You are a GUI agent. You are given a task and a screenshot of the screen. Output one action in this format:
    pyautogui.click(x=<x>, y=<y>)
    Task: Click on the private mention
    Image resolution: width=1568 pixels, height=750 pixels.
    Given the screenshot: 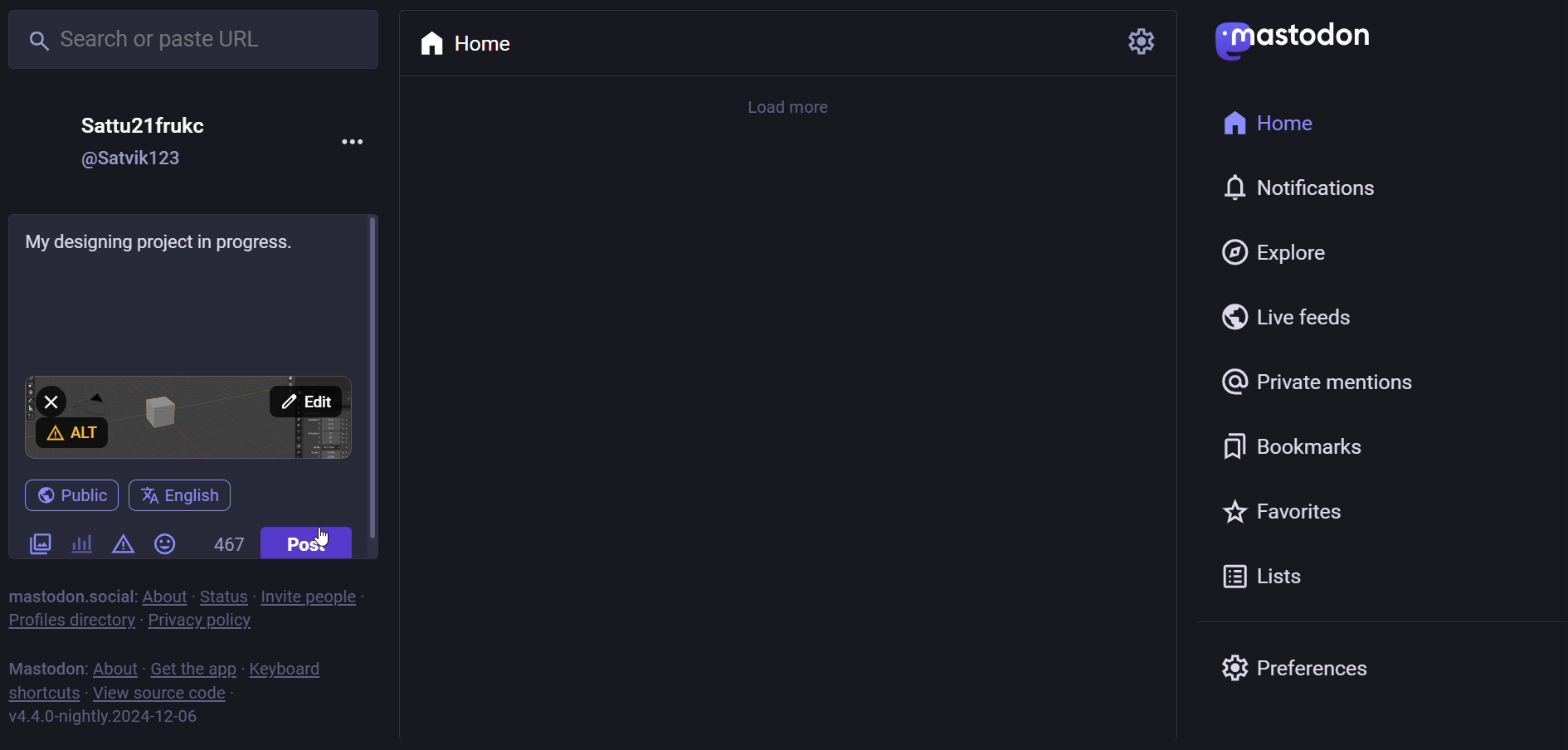 What is the action you would take?
    pyautogui.click(x=1319, y=383)
    